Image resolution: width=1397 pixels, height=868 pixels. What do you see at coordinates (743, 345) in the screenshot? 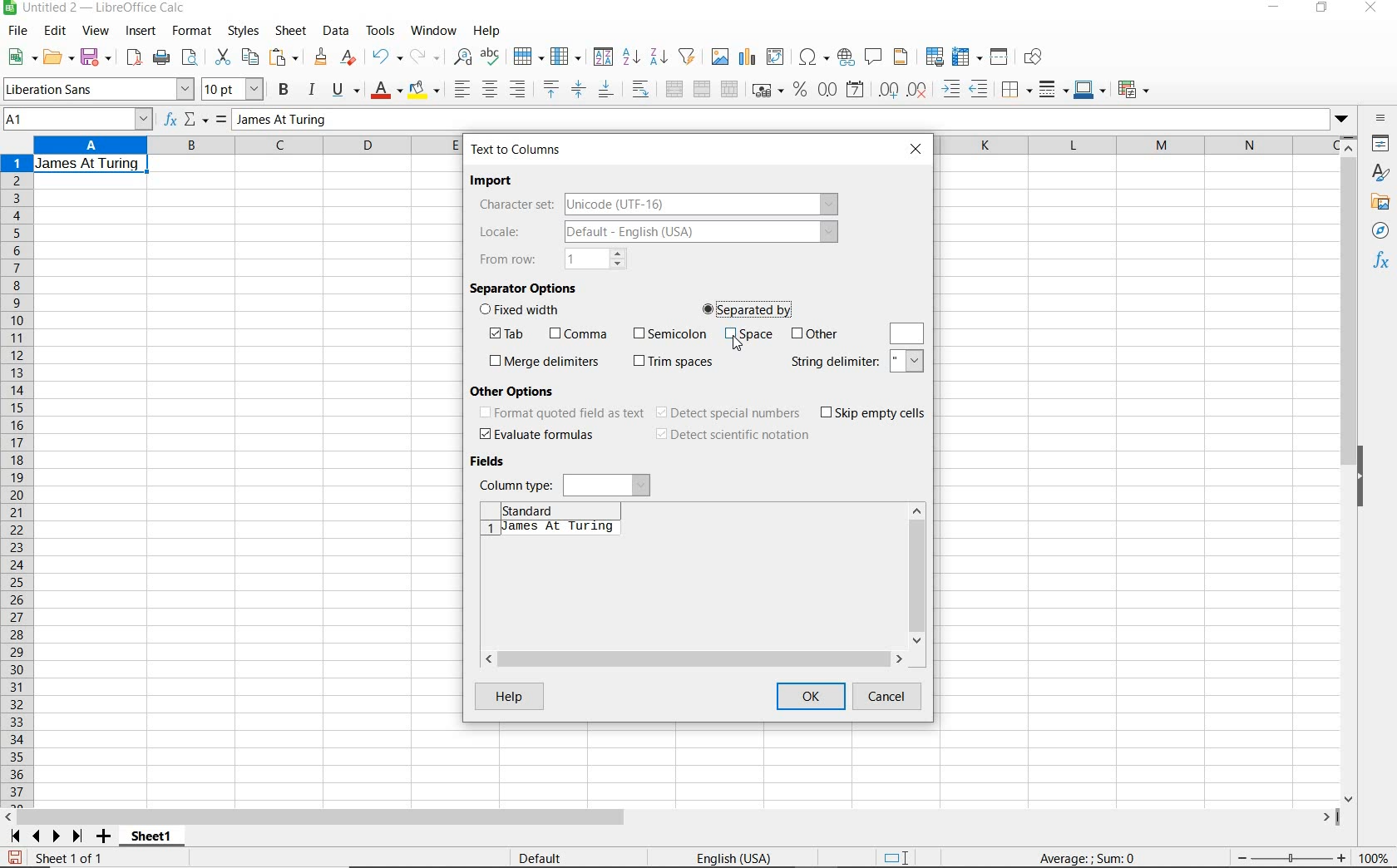
I see `cursor` at bounding box center [743, 345].